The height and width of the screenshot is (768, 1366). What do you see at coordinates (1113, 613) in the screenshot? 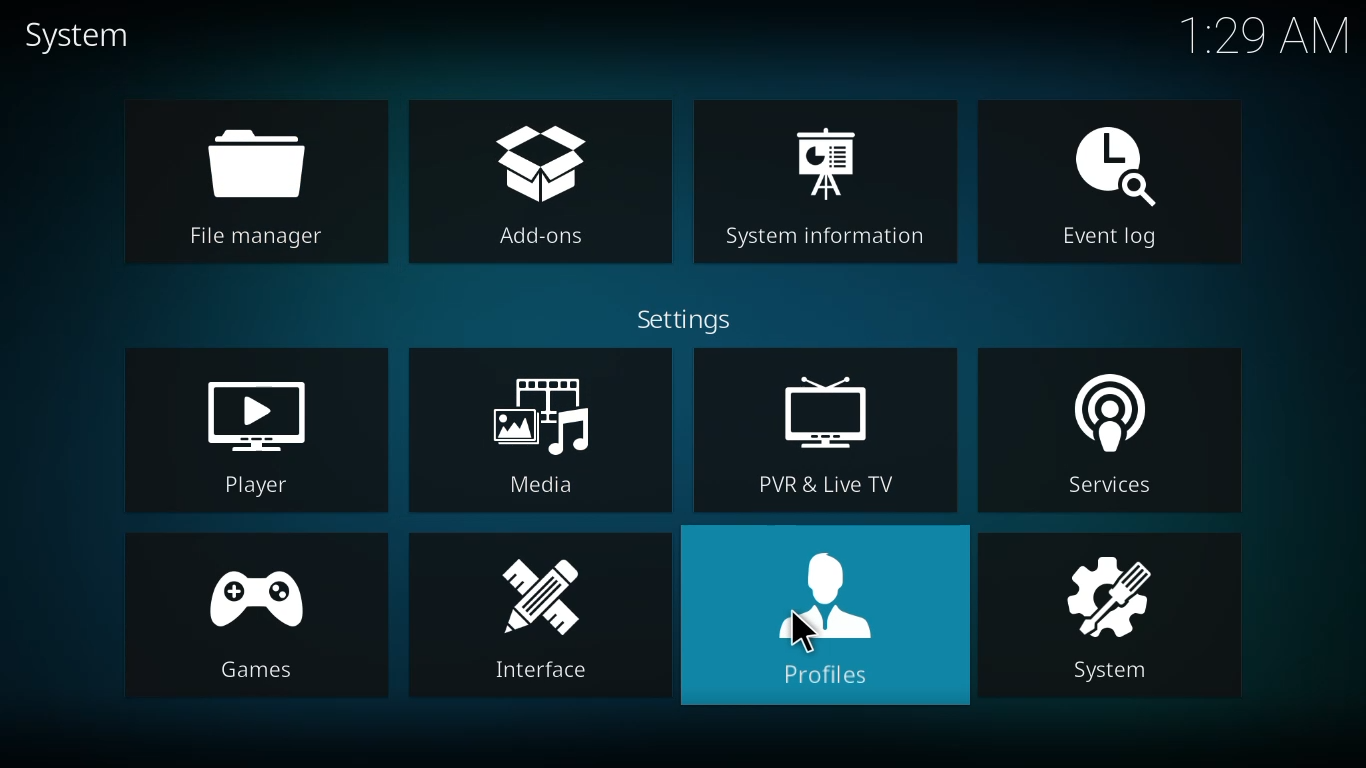
I see `system` at bounding box center [1113, 613].